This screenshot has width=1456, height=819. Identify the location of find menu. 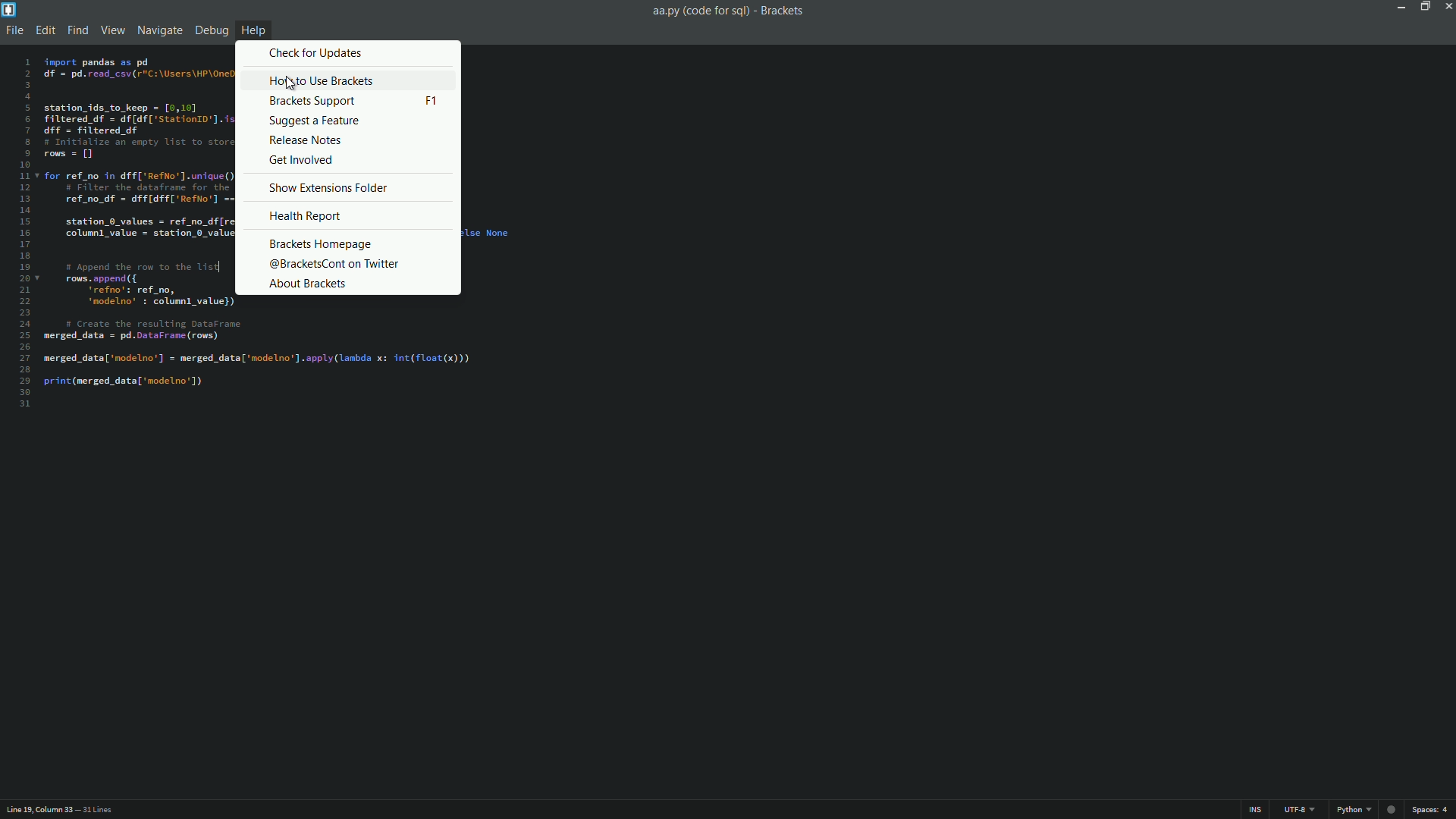
(77, 30).